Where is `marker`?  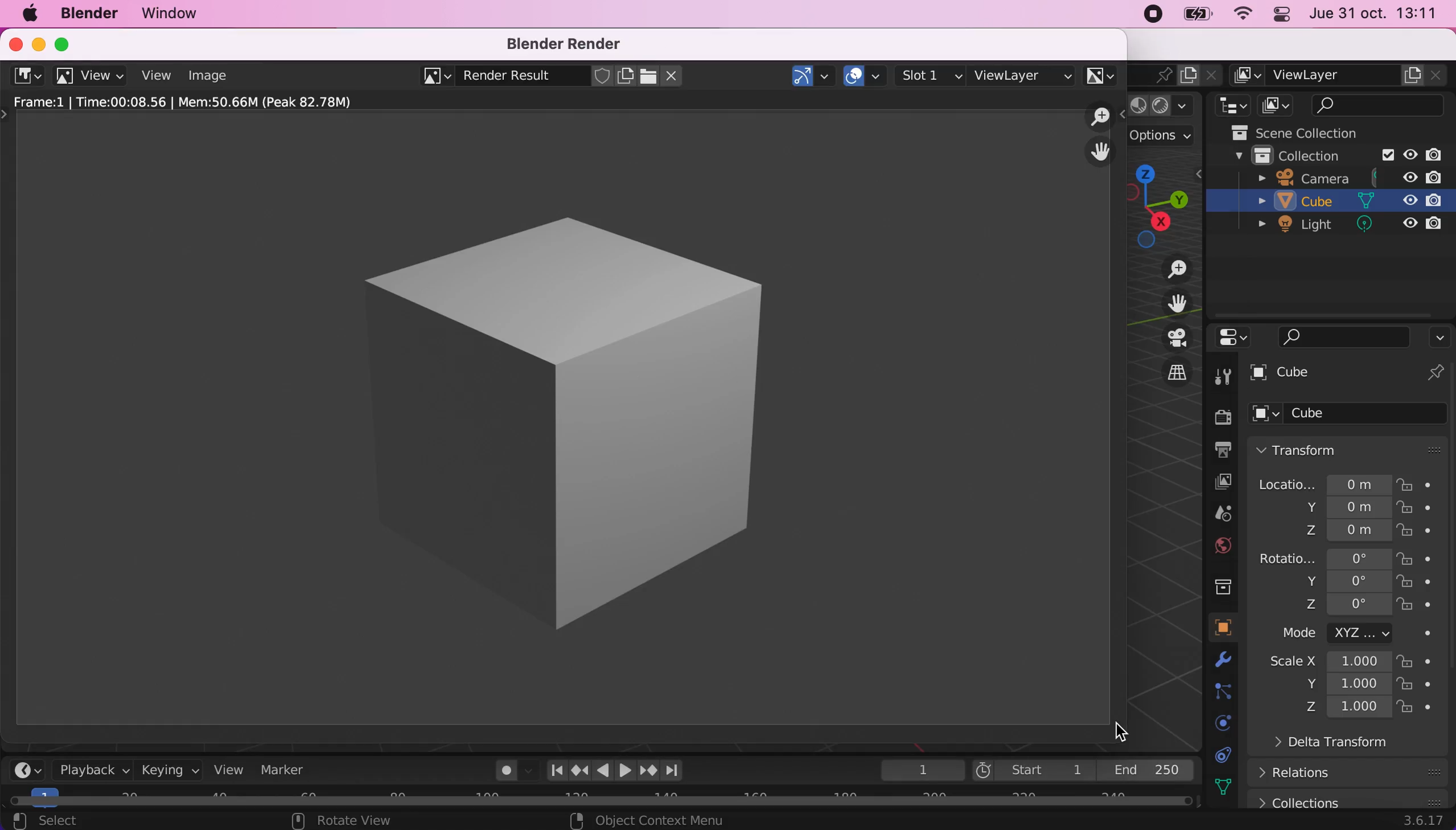 marker is located at coordinates (291, 771).